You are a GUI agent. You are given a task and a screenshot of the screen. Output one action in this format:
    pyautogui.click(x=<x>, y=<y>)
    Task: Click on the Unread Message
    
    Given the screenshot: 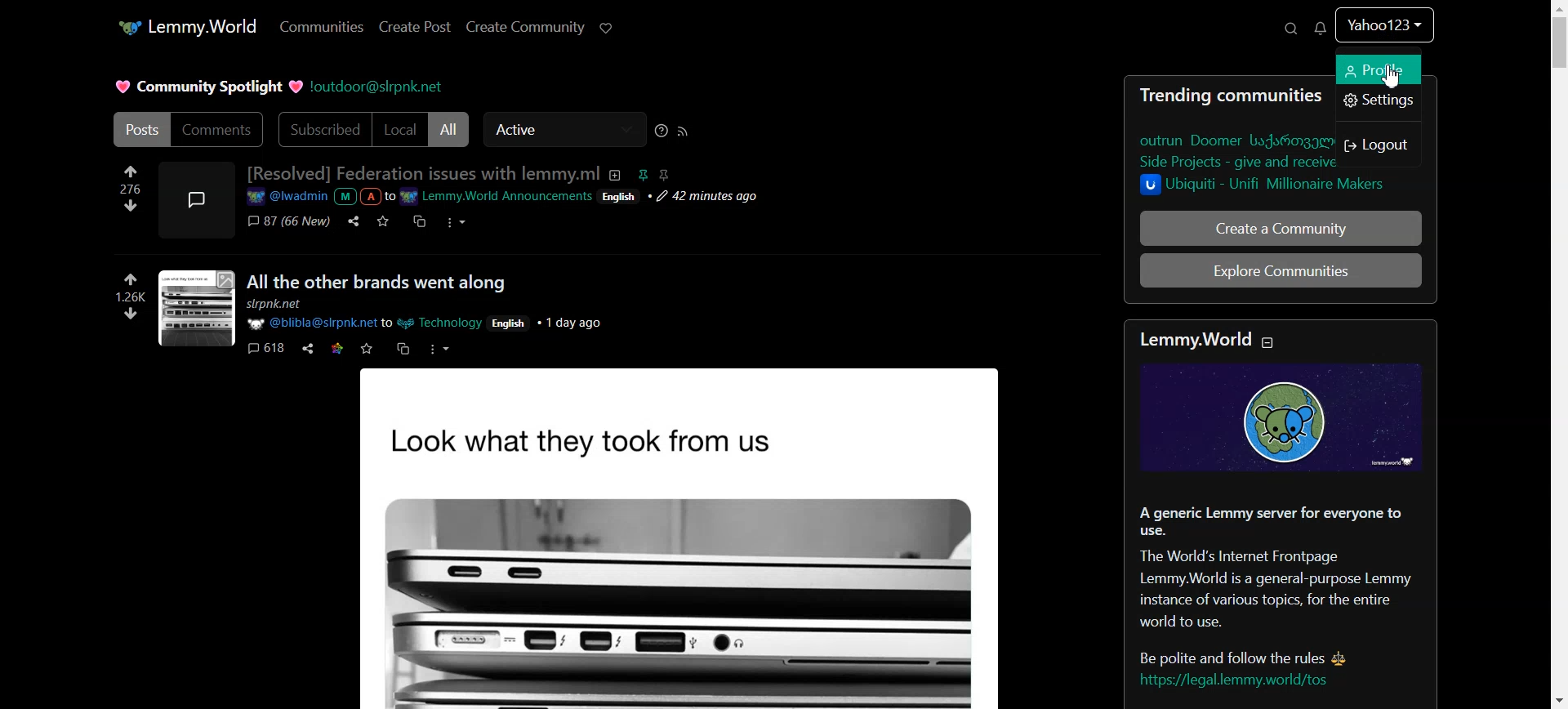 What is the action you would take?
    pyautogui.click(x=1322, y=28)
    